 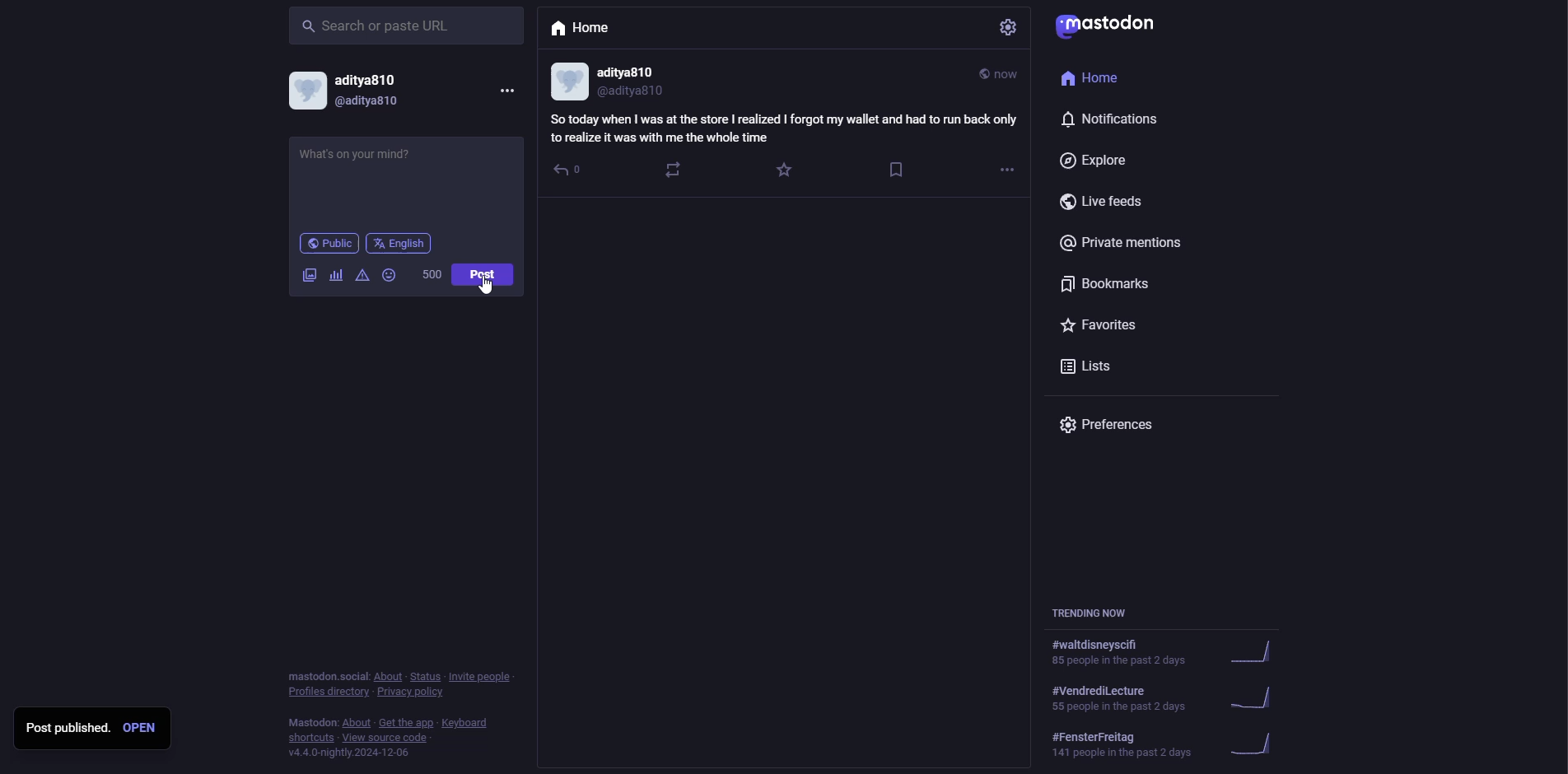 I want to click on post published, so click(x=68, y=726).